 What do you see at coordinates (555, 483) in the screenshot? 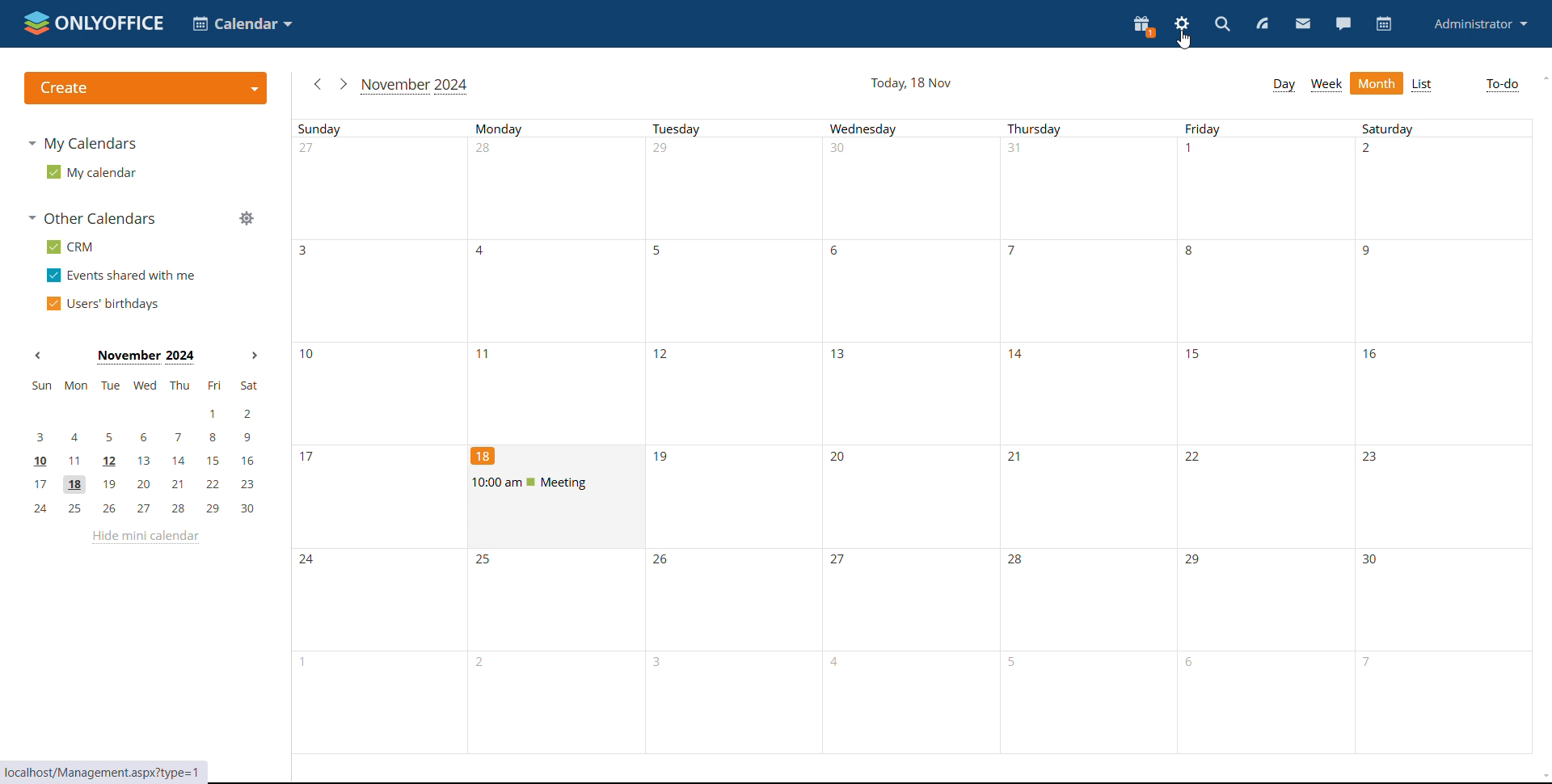
I see `upcoming meeting` at bounding box center [555, 483].